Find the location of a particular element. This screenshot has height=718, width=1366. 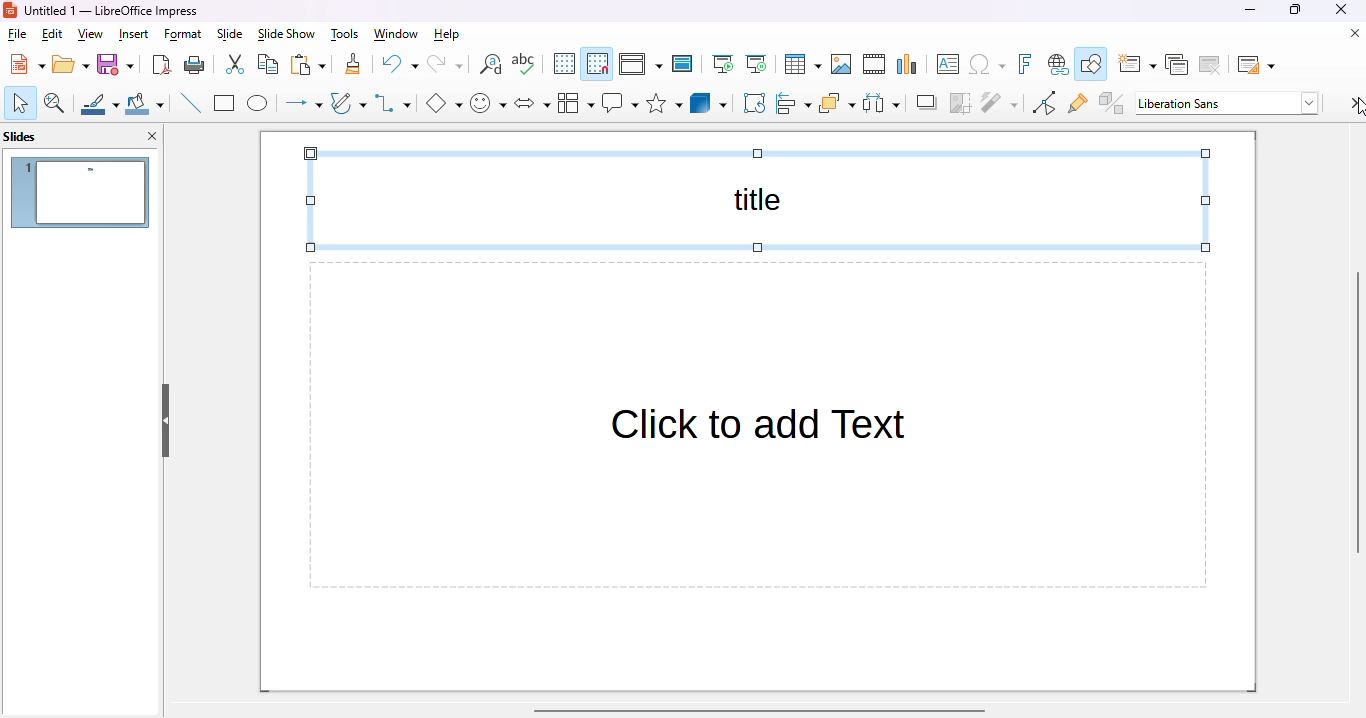

symbol shapes is located at coordinates (488, 103).